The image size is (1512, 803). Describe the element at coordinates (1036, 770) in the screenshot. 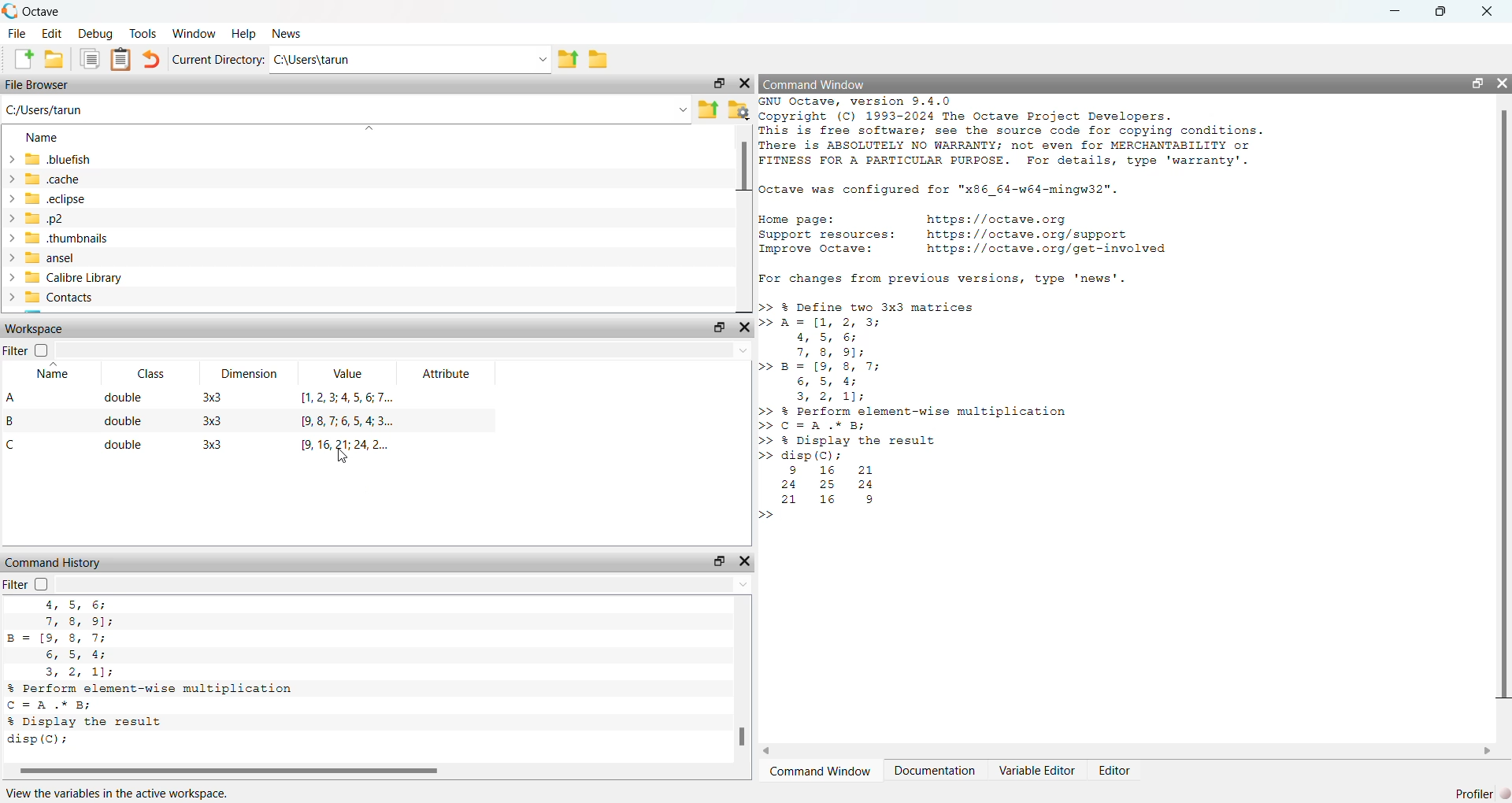

I see `Variable Editor` at that location.